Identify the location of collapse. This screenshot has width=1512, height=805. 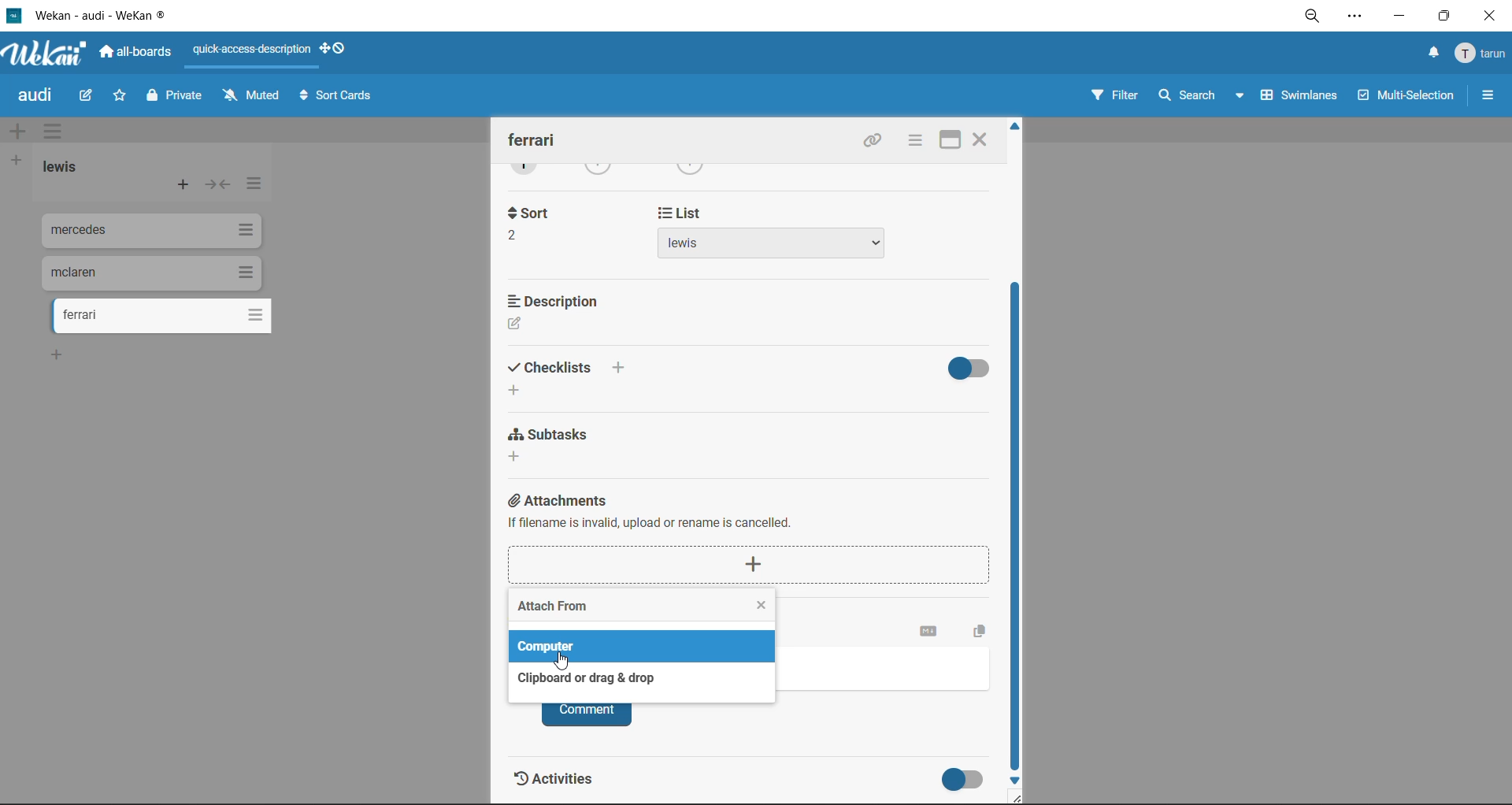
(217, 187).